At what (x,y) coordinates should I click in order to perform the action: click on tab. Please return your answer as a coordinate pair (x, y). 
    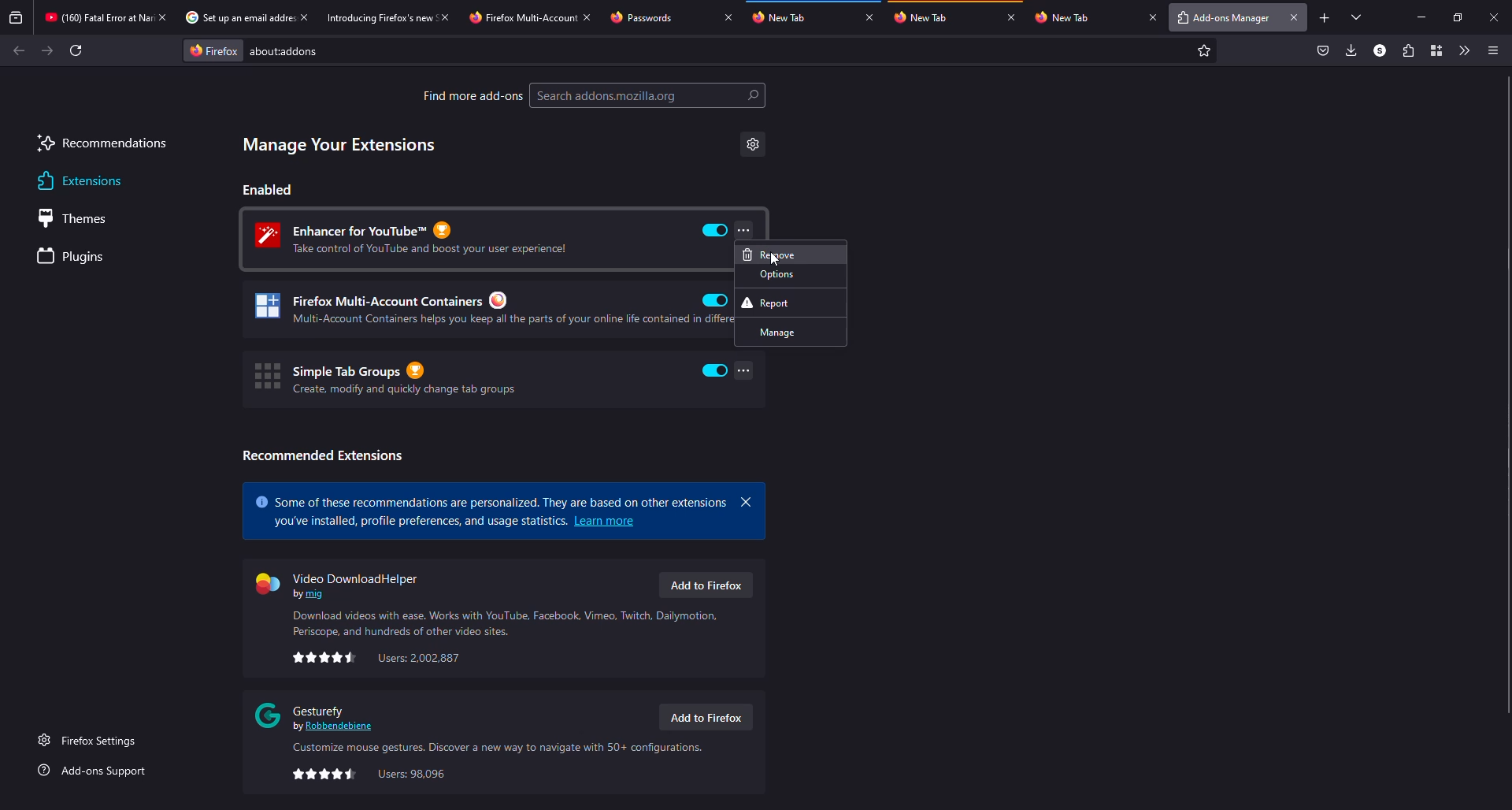
    Looking at the image, I should click on (521, 18).